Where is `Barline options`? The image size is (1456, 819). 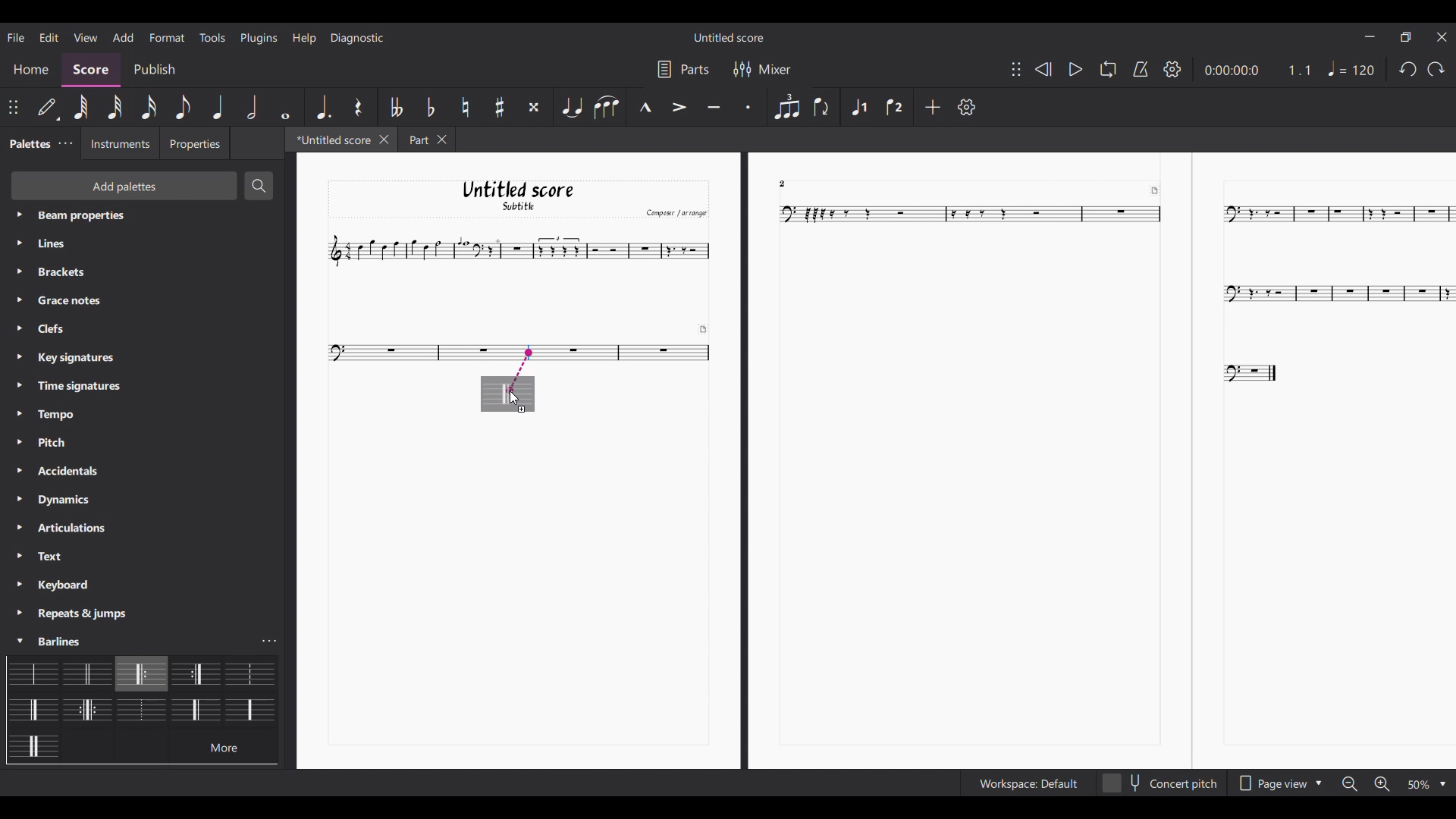 Barline options is located at coordinates (247, 673).